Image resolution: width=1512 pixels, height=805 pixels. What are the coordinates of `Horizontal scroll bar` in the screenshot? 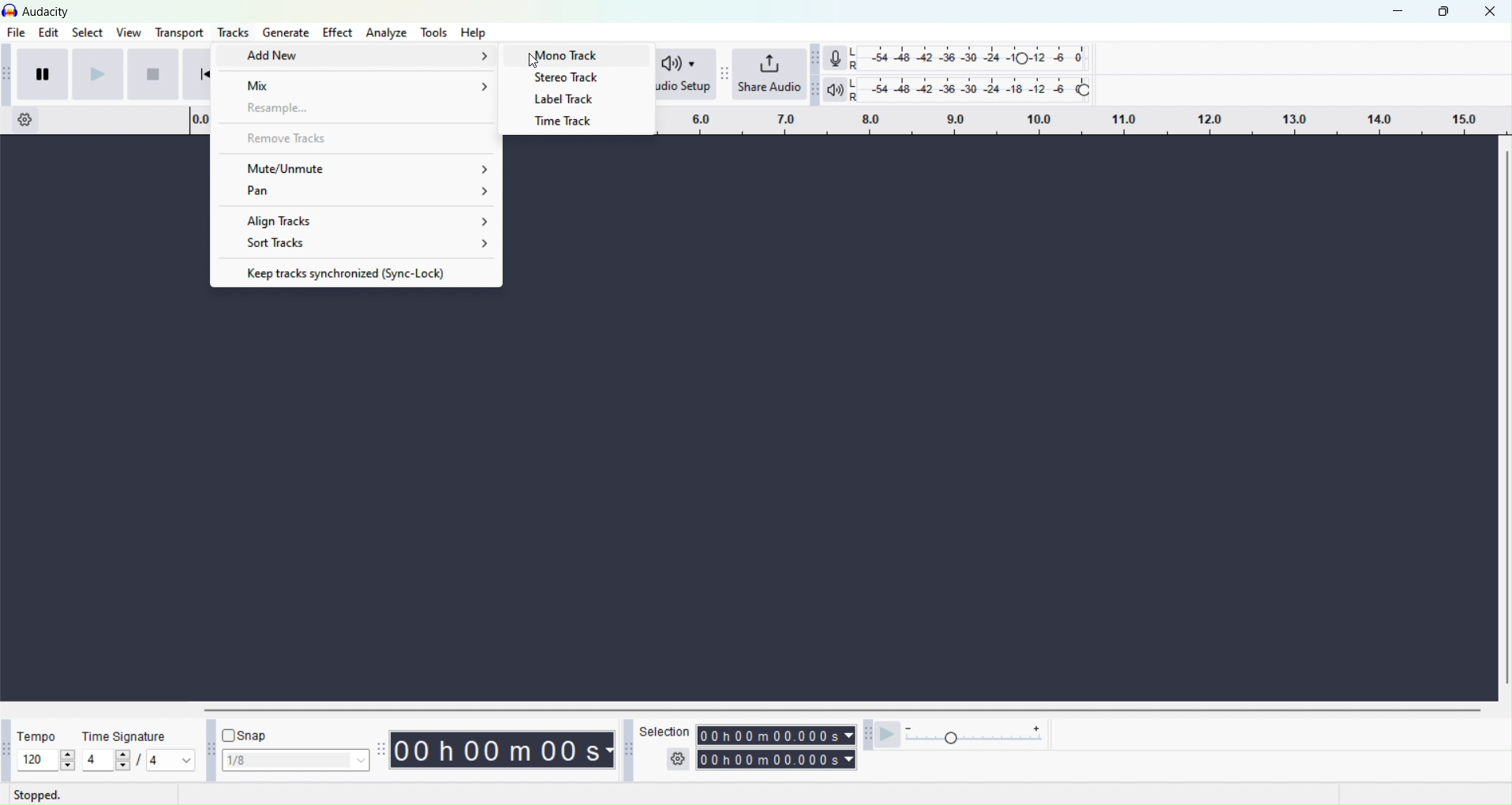 It's located at (1503, 418).